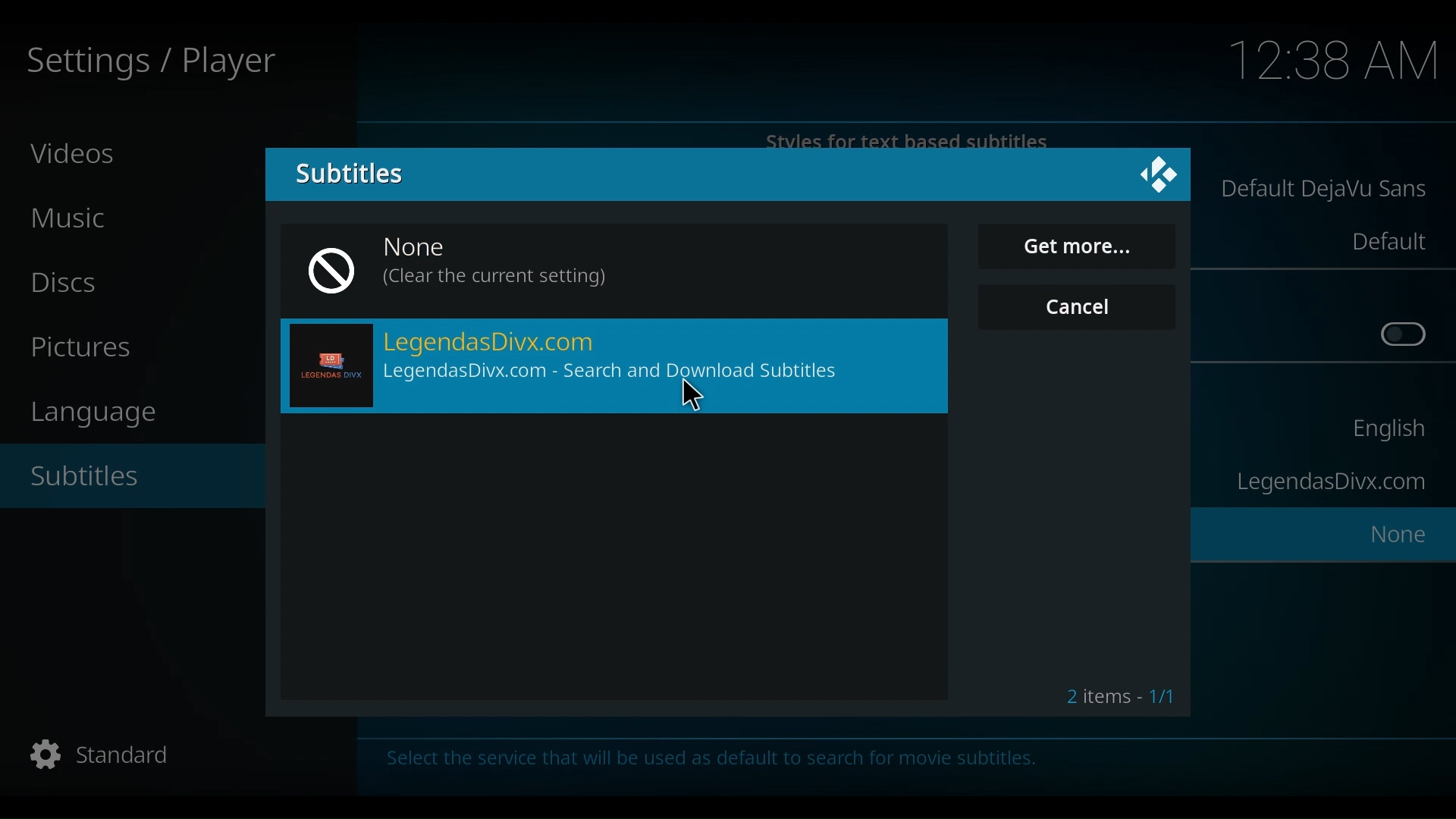 The image size is (1456, 819). What do you see at coordinates (1329, 483) in the screenshot?
I see `legendasDivx.com` at bounding box center [1329, 483].